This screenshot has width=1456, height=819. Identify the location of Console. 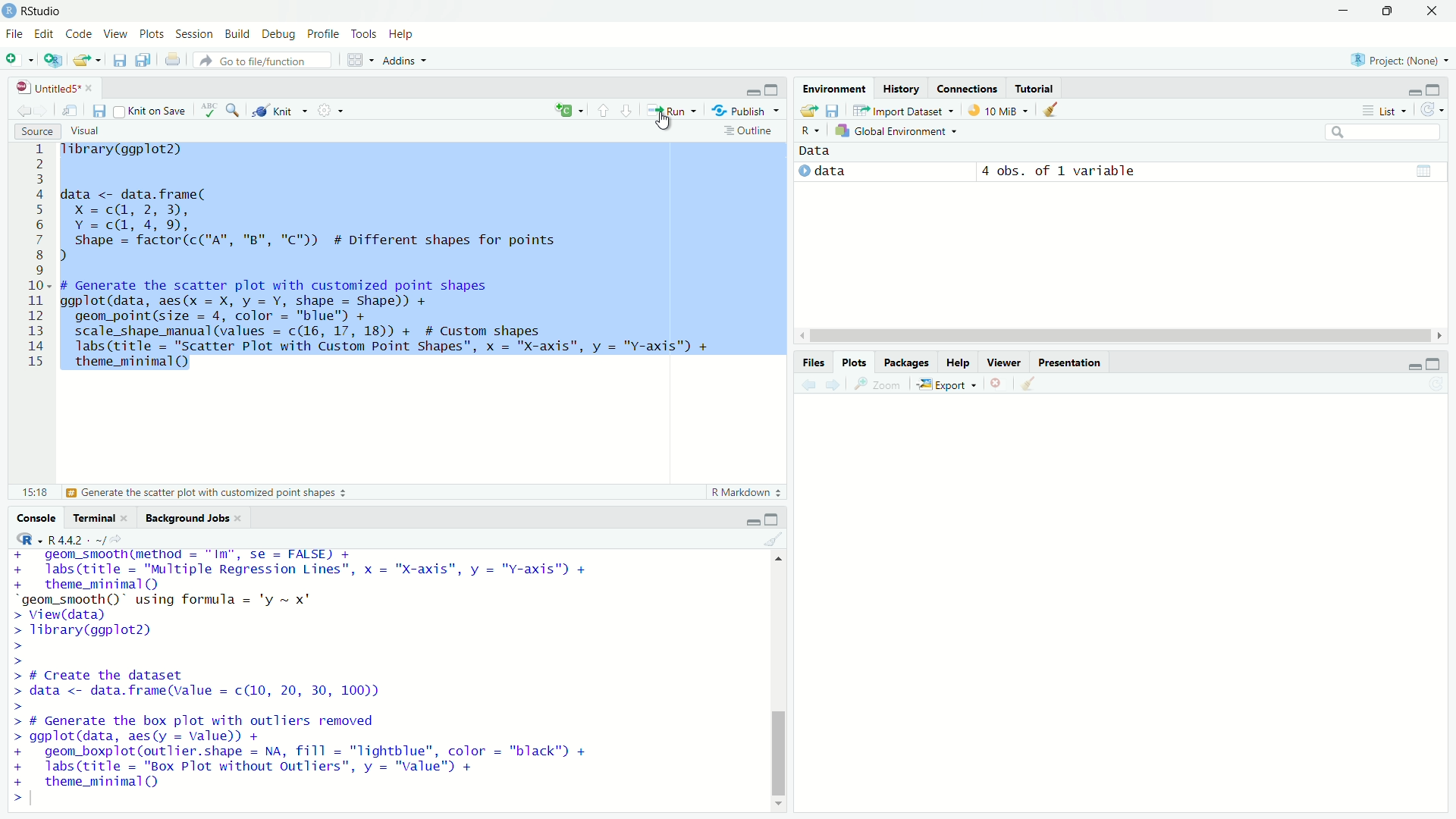
(36, 518).